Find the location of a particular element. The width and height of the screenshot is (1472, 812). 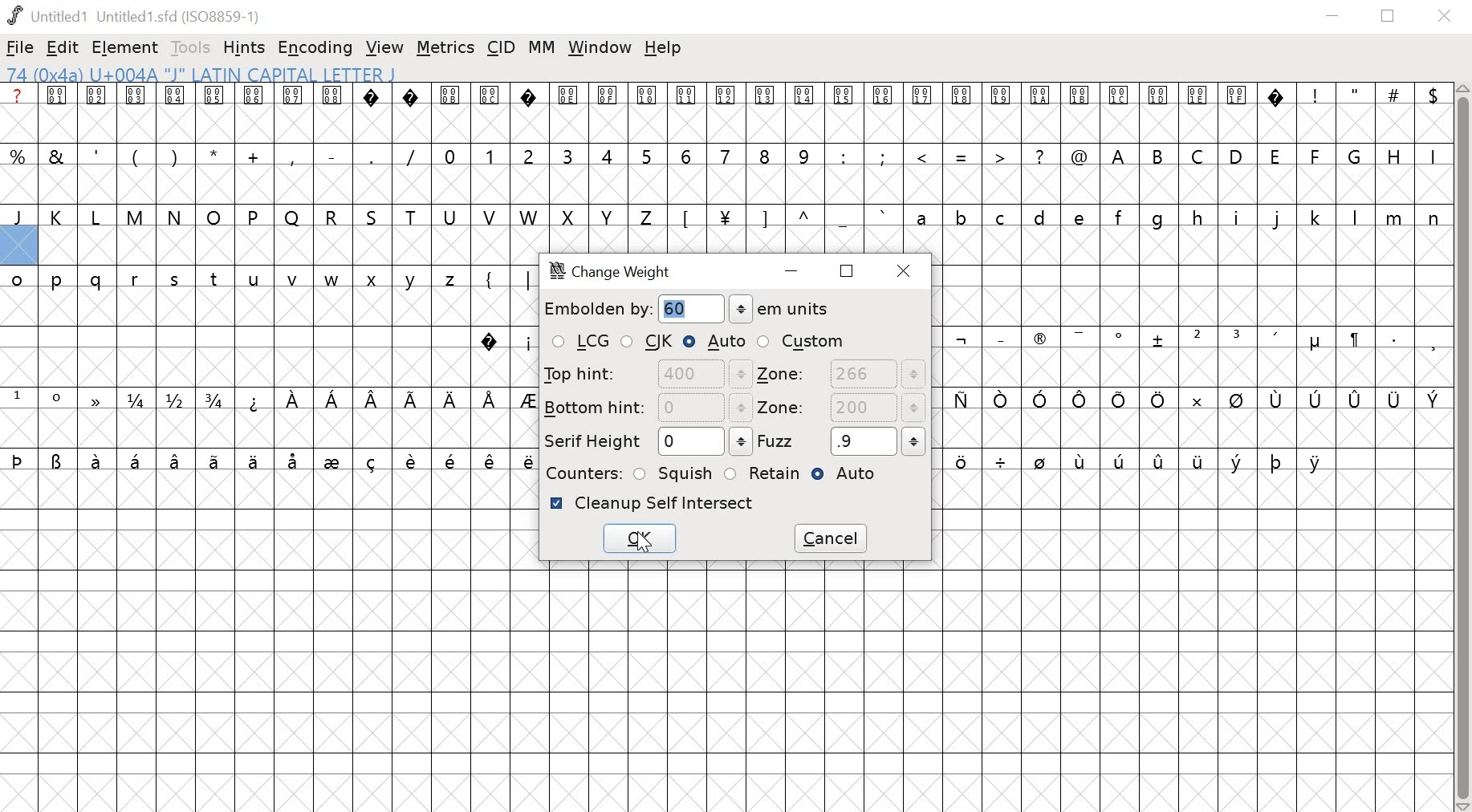

symbols is located at coordinates (501, 278).